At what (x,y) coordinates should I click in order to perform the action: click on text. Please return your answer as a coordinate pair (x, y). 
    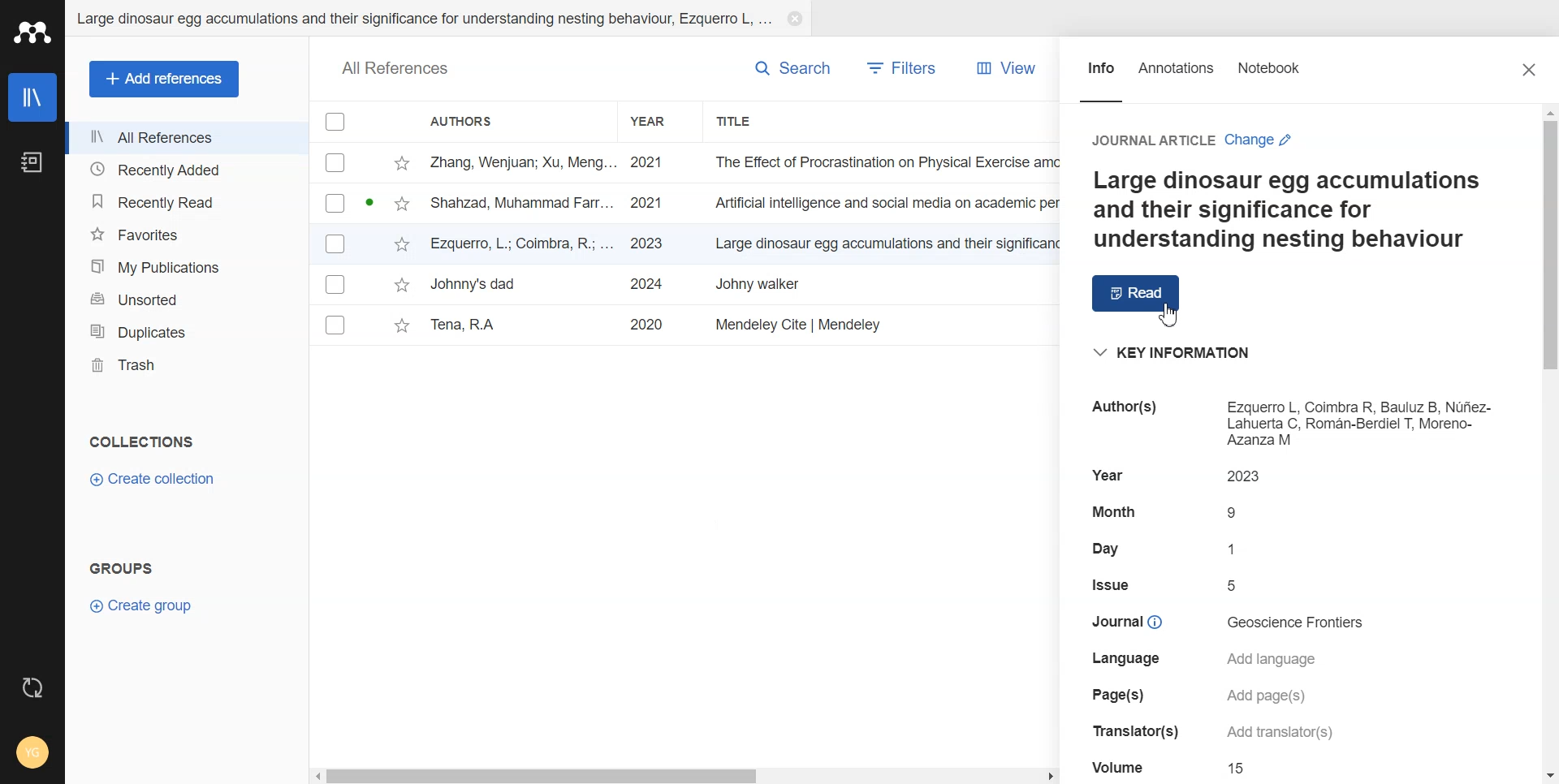
    Looking at the image, I should click on (1108, 474).